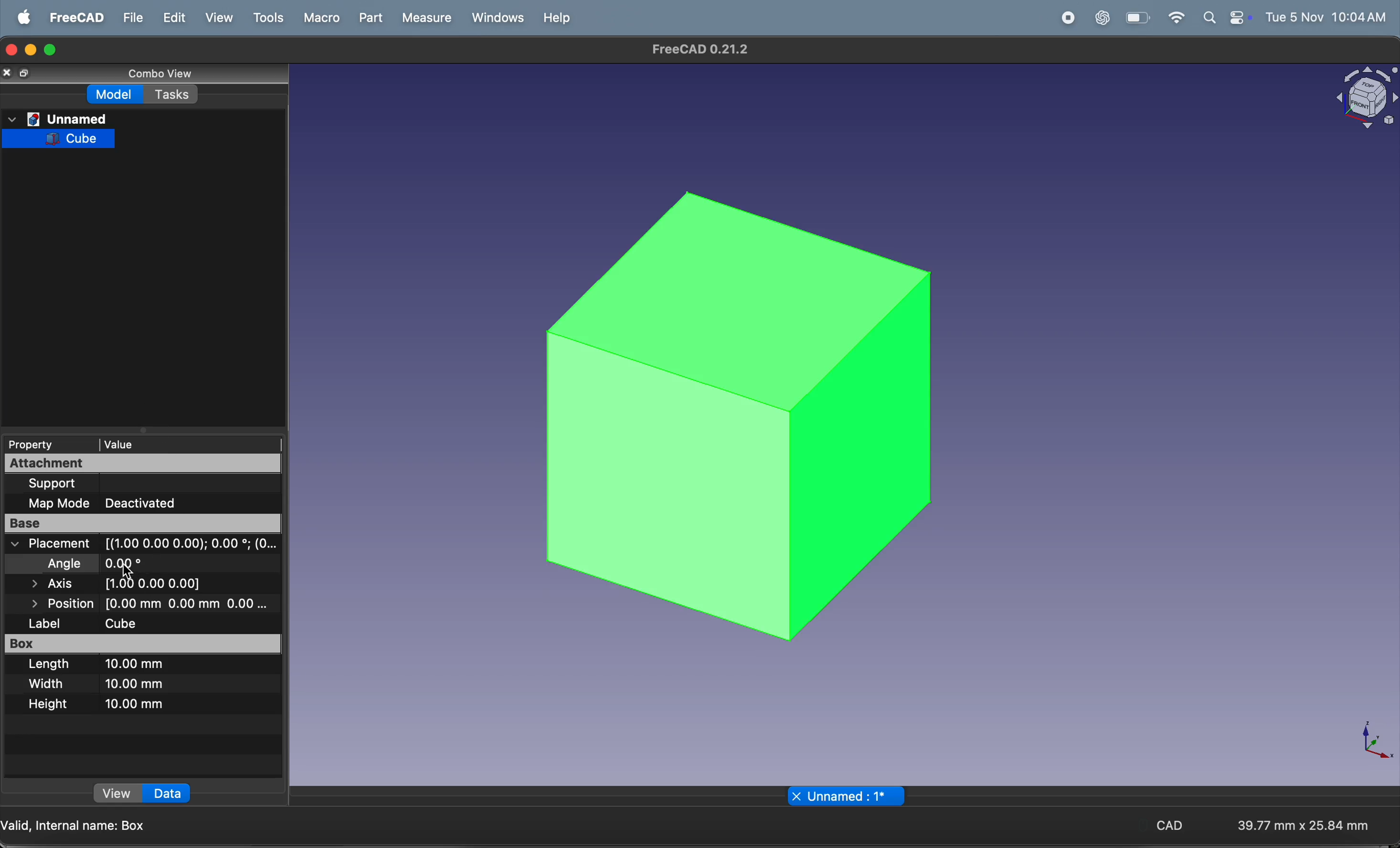  What do you see at coordinates (1299, 824) in the screenshot?
I see `aspect ratio` at bounding box center [1299, 824].